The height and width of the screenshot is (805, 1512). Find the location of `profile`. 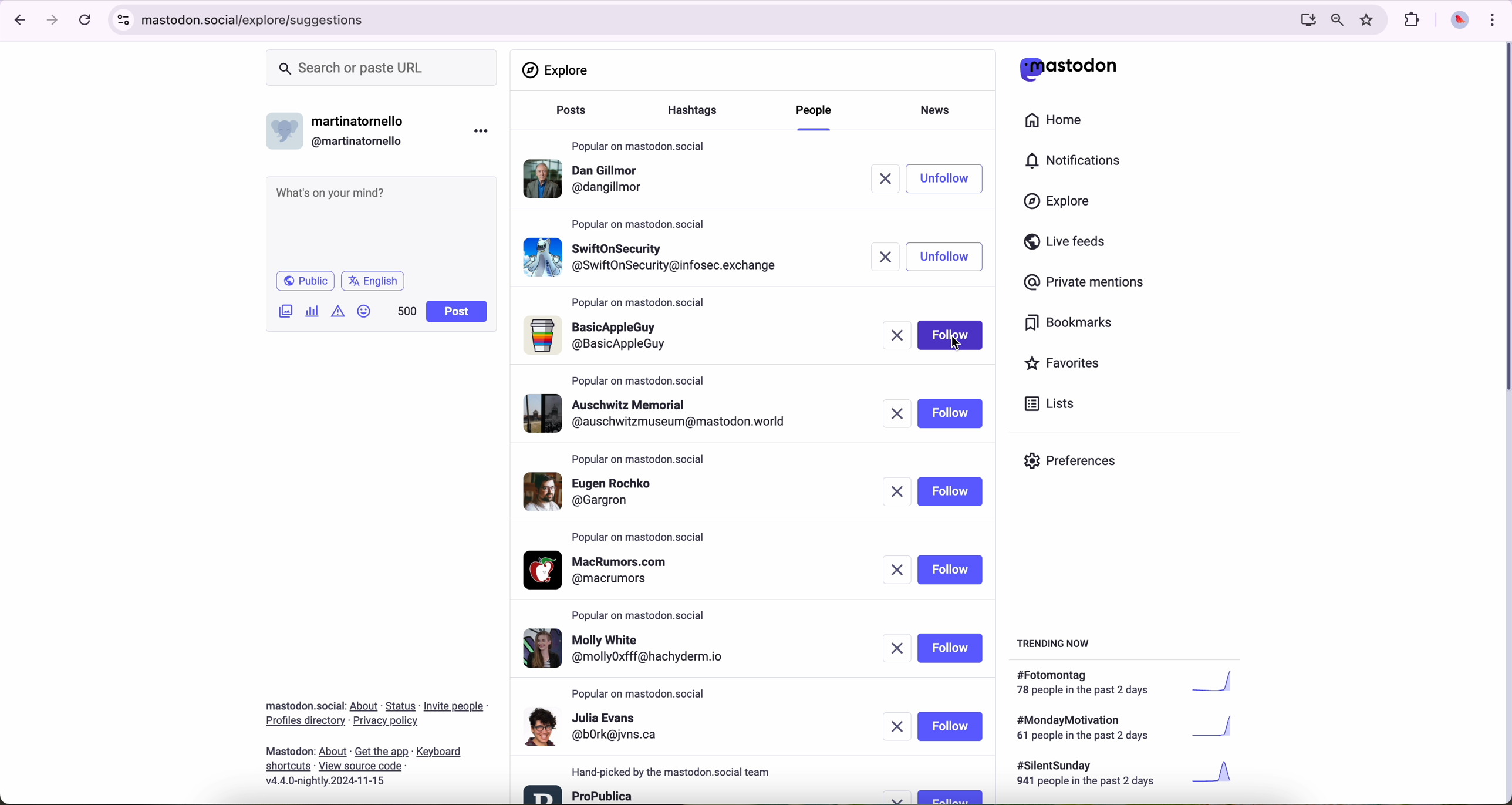

profile is located at coordinates (604, 570).